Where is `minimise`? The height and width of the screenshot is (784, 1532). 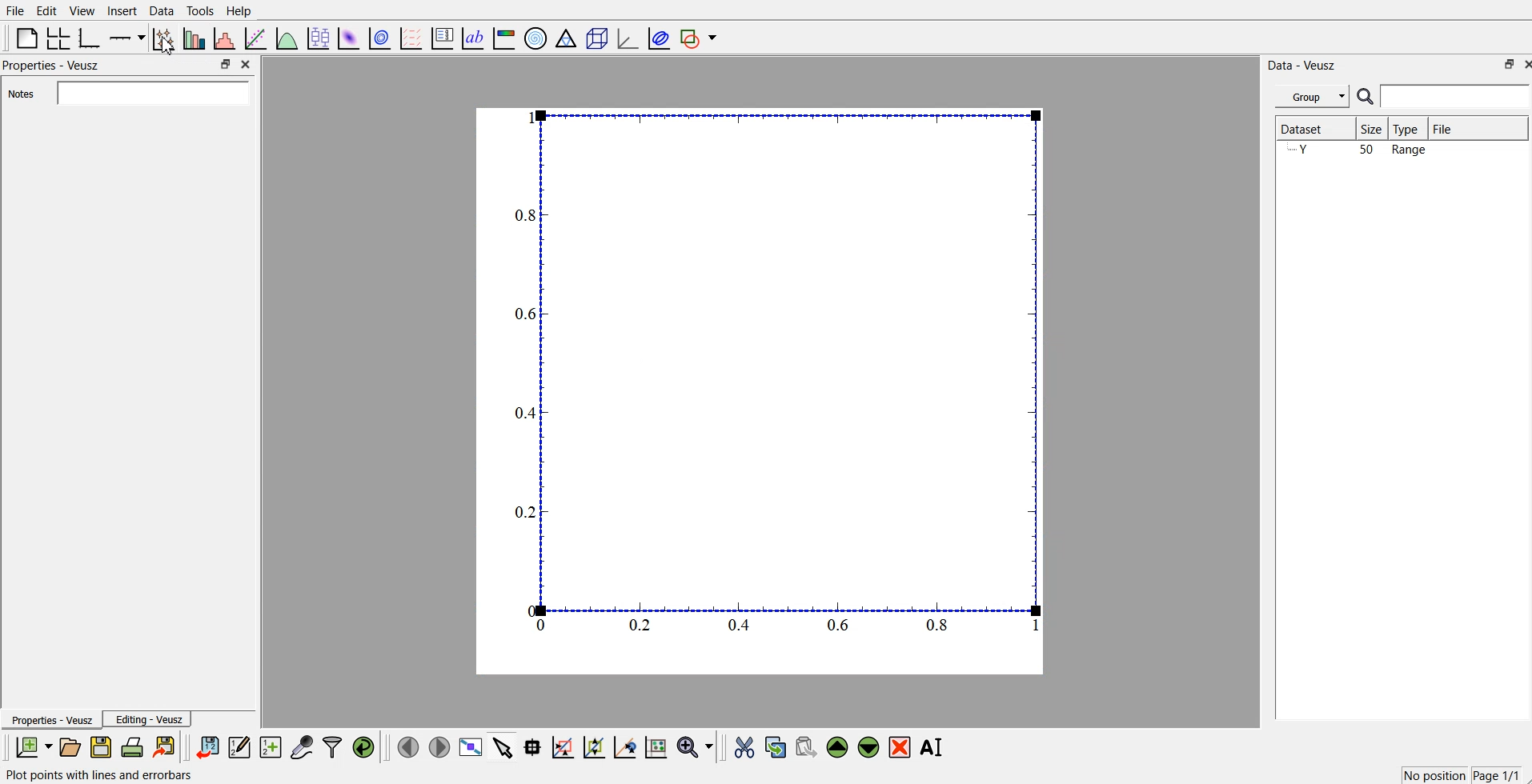
minimise is located at coordinates (1504, 64).